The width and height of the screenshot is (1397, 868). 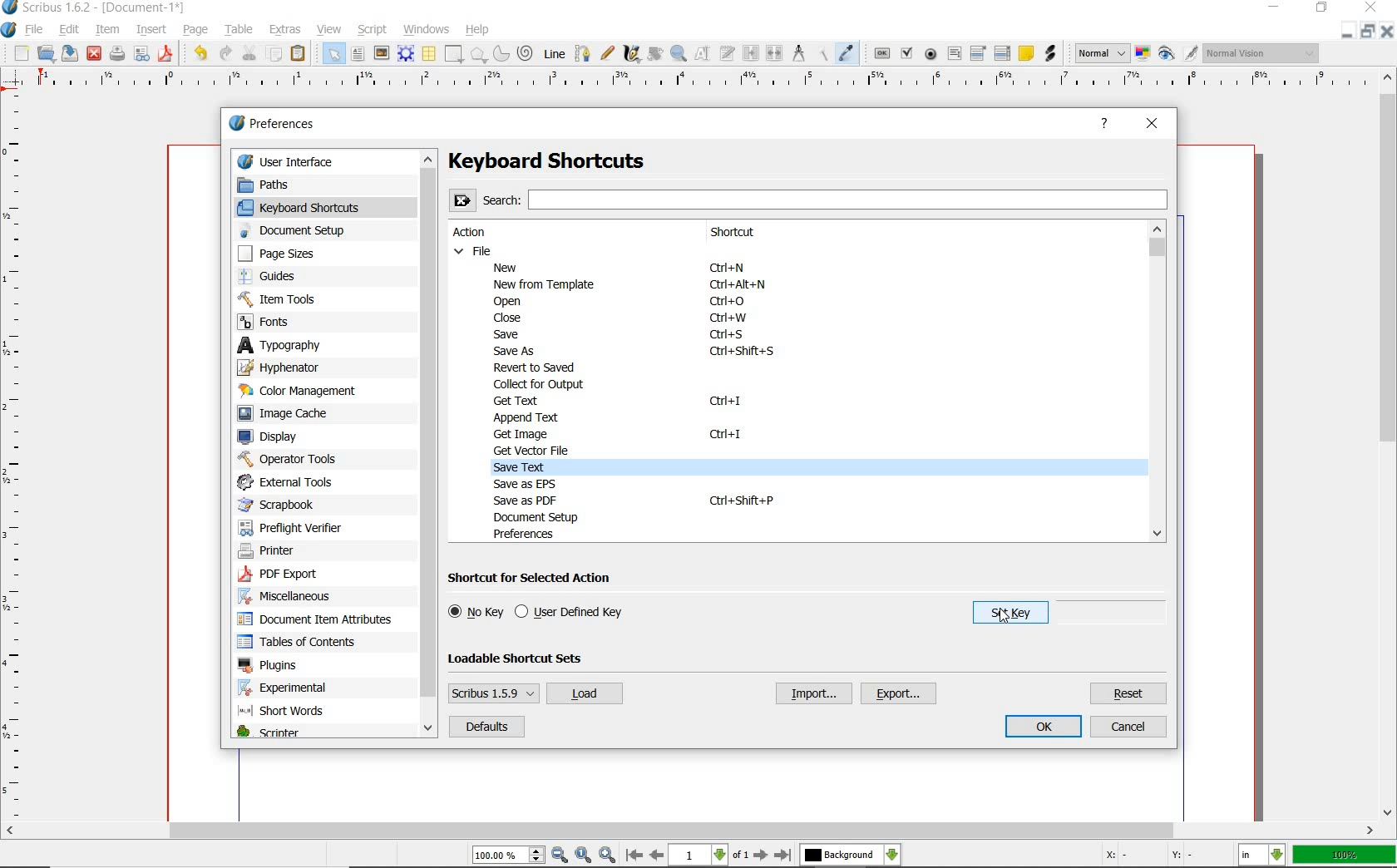 What do you see at coordinates (529, 534) in the screenshot?
I see `preferences` at bounding box center [529, 534].